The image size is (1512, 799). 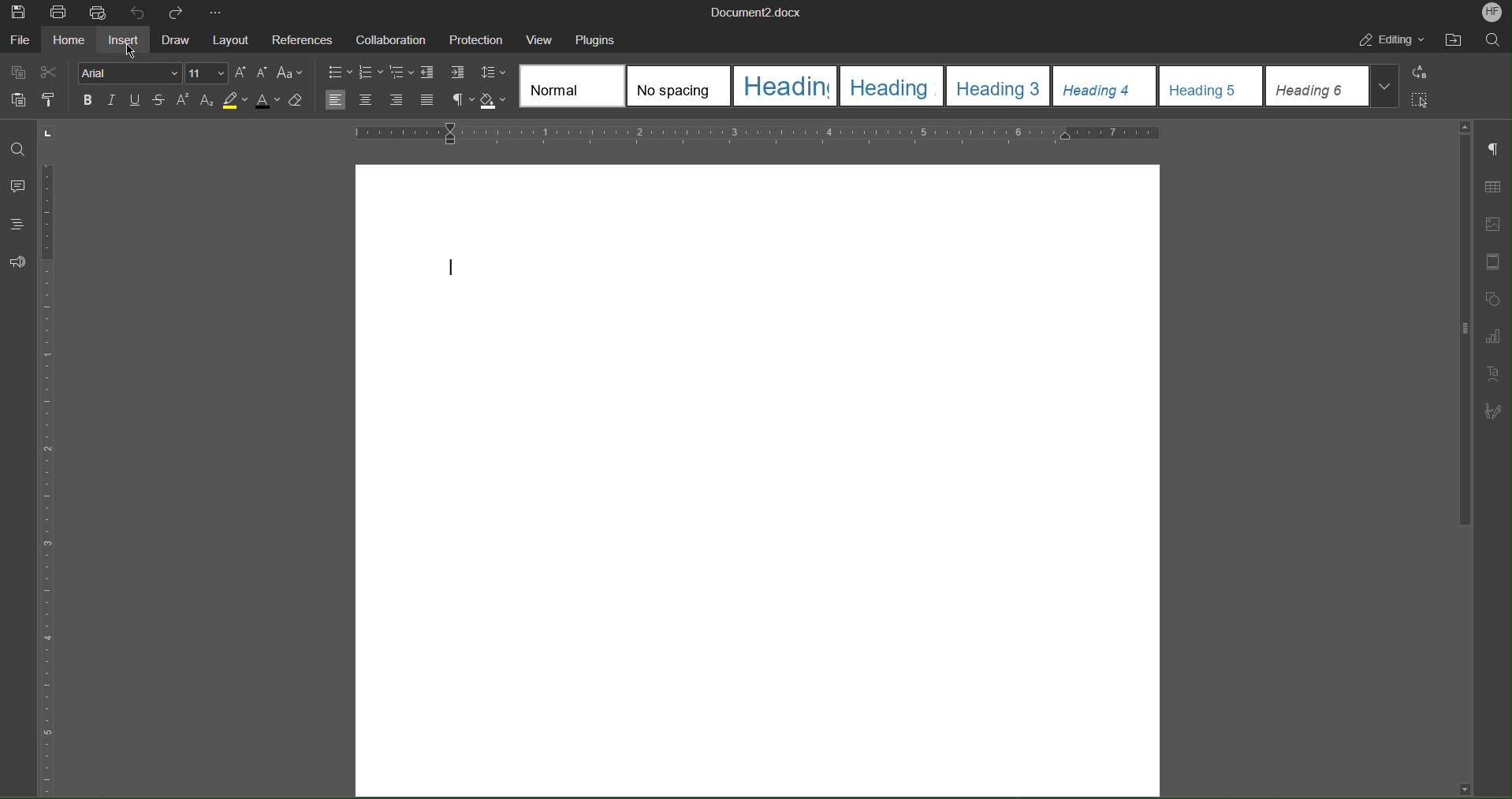 I want to click on File, so click(x=20, y=38).